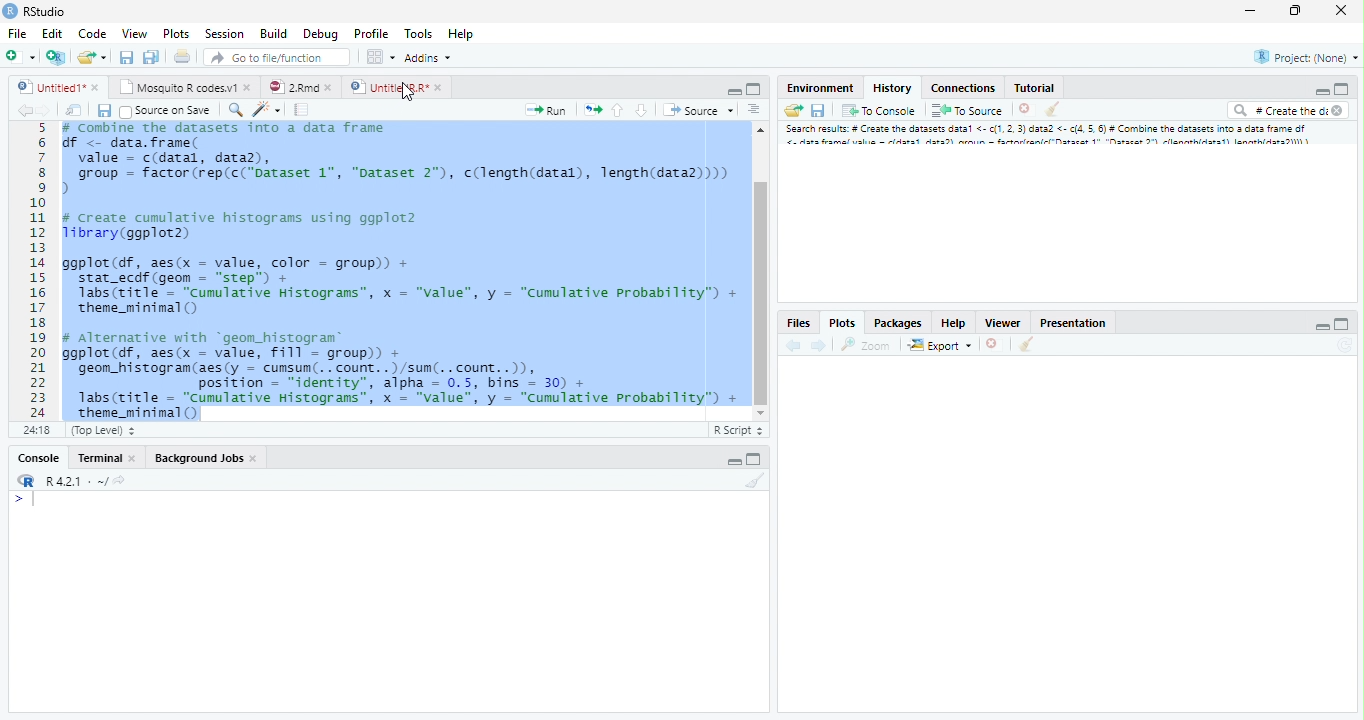 The image size is (1364, 720). Describe the element at coordinates (1052, 137) in the screenshot. I see `Search result # create dataset data..` at that location.